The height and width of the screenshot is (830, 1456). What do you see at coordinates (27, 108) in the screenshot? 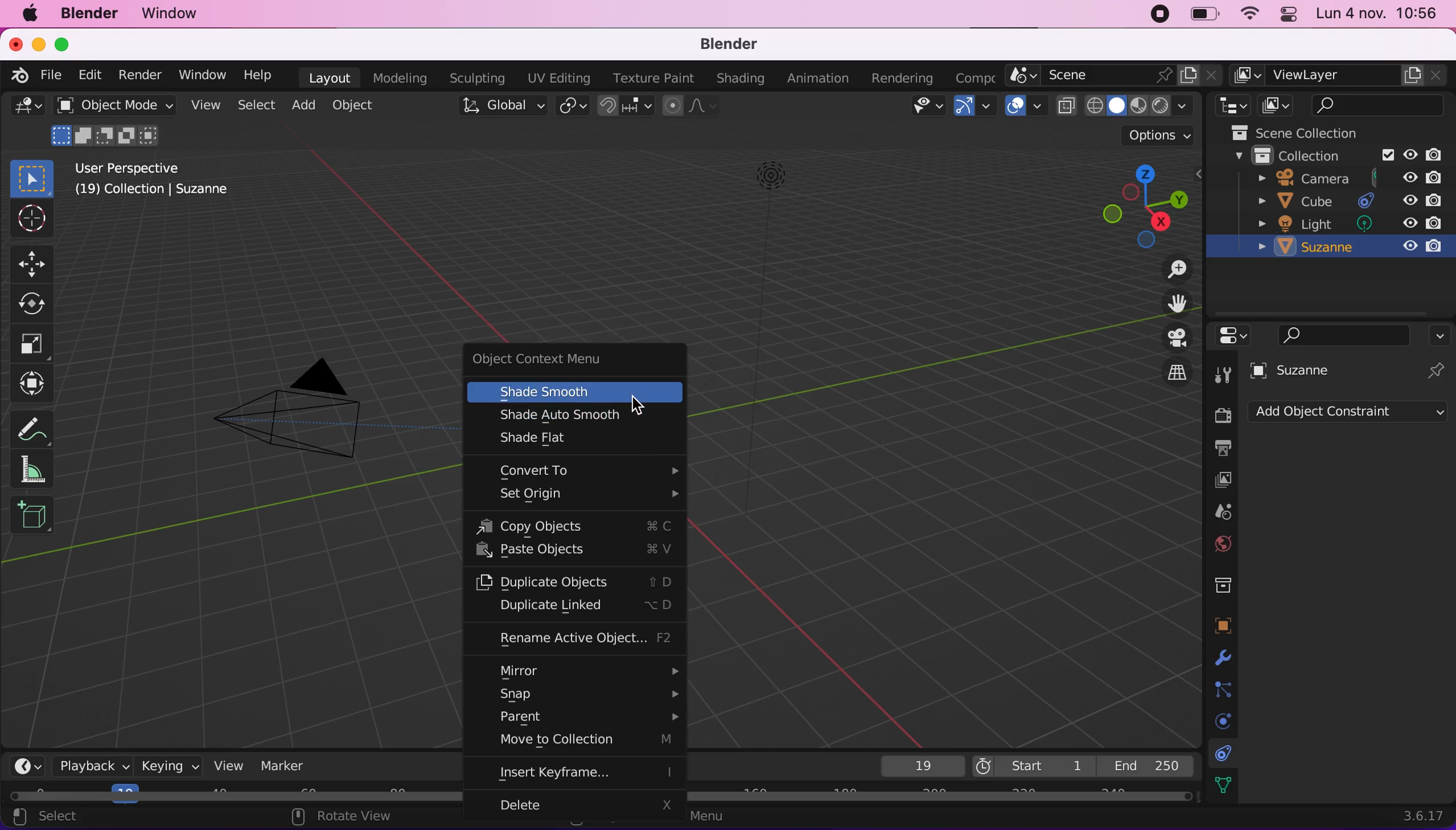
I see `editor type` at bounding box center [27, 108].